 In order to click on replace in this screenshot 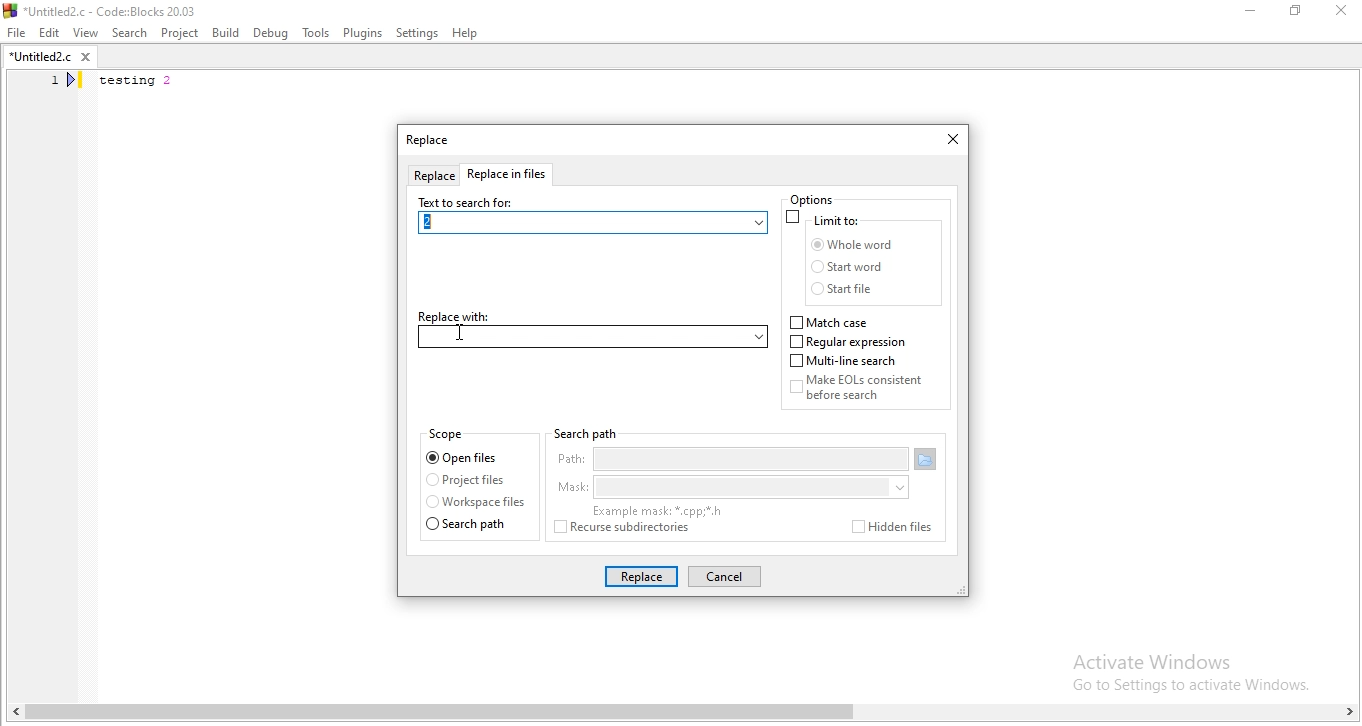, I will do `click(640, 576)`.